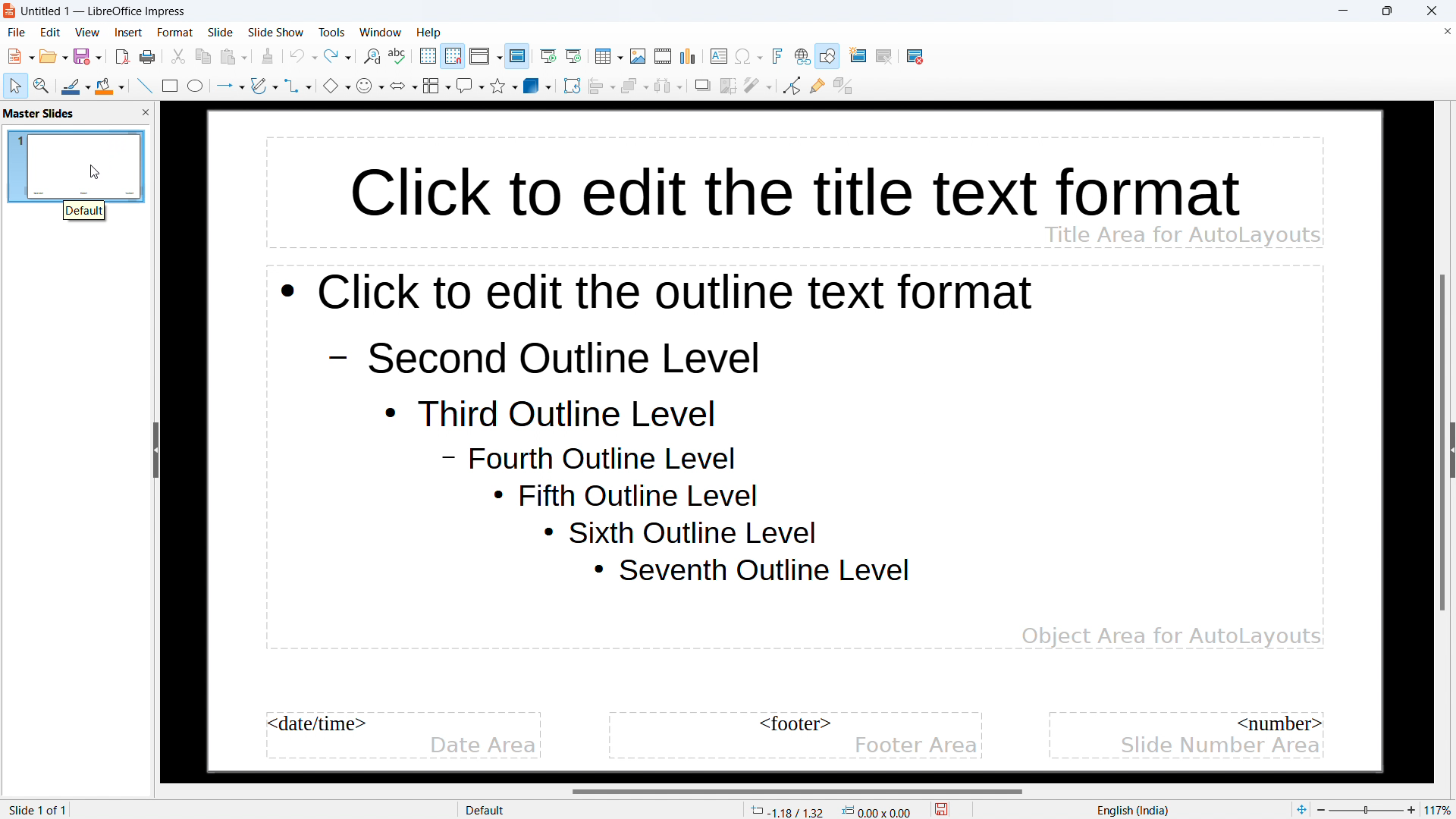 The image size is (1456, 819). Describe the element at coordinates (639, 56) in the screenshot. I see `insert image` at that location.